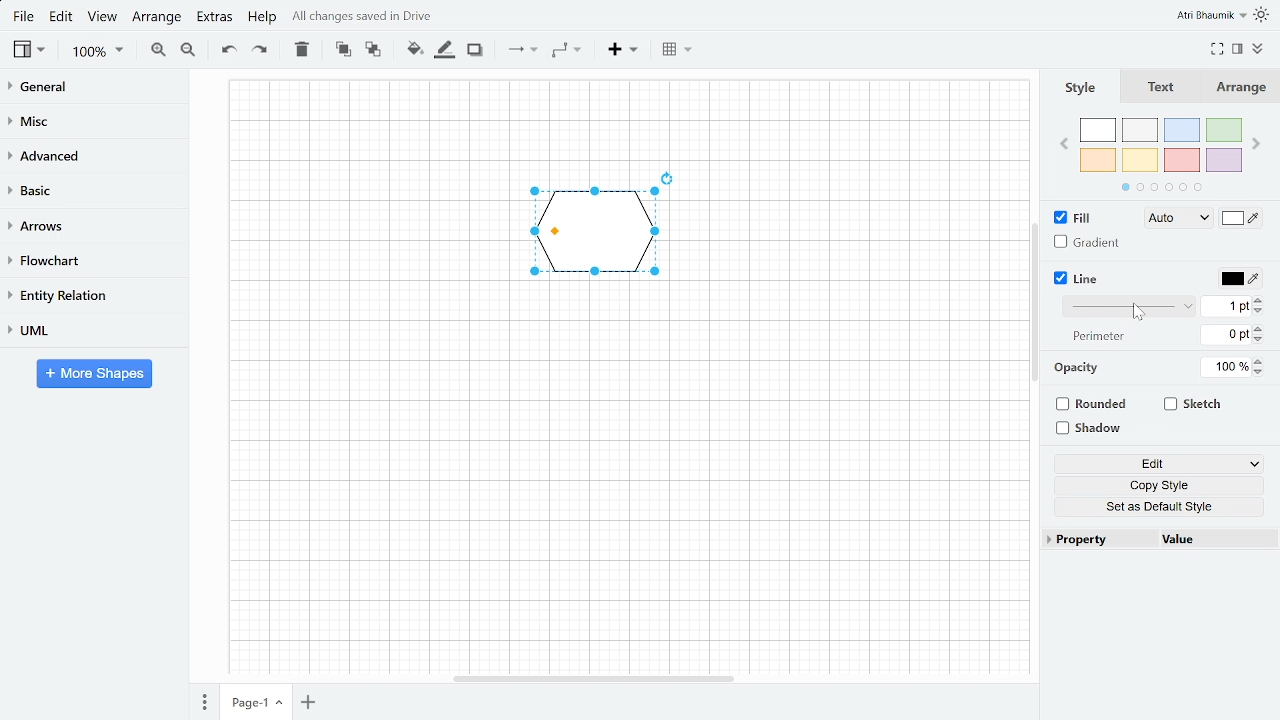 This screenshot has width=1280, height=720. Describe the element at coordinates (478, 50) in the screenshot. I see `Shadow` at that location.